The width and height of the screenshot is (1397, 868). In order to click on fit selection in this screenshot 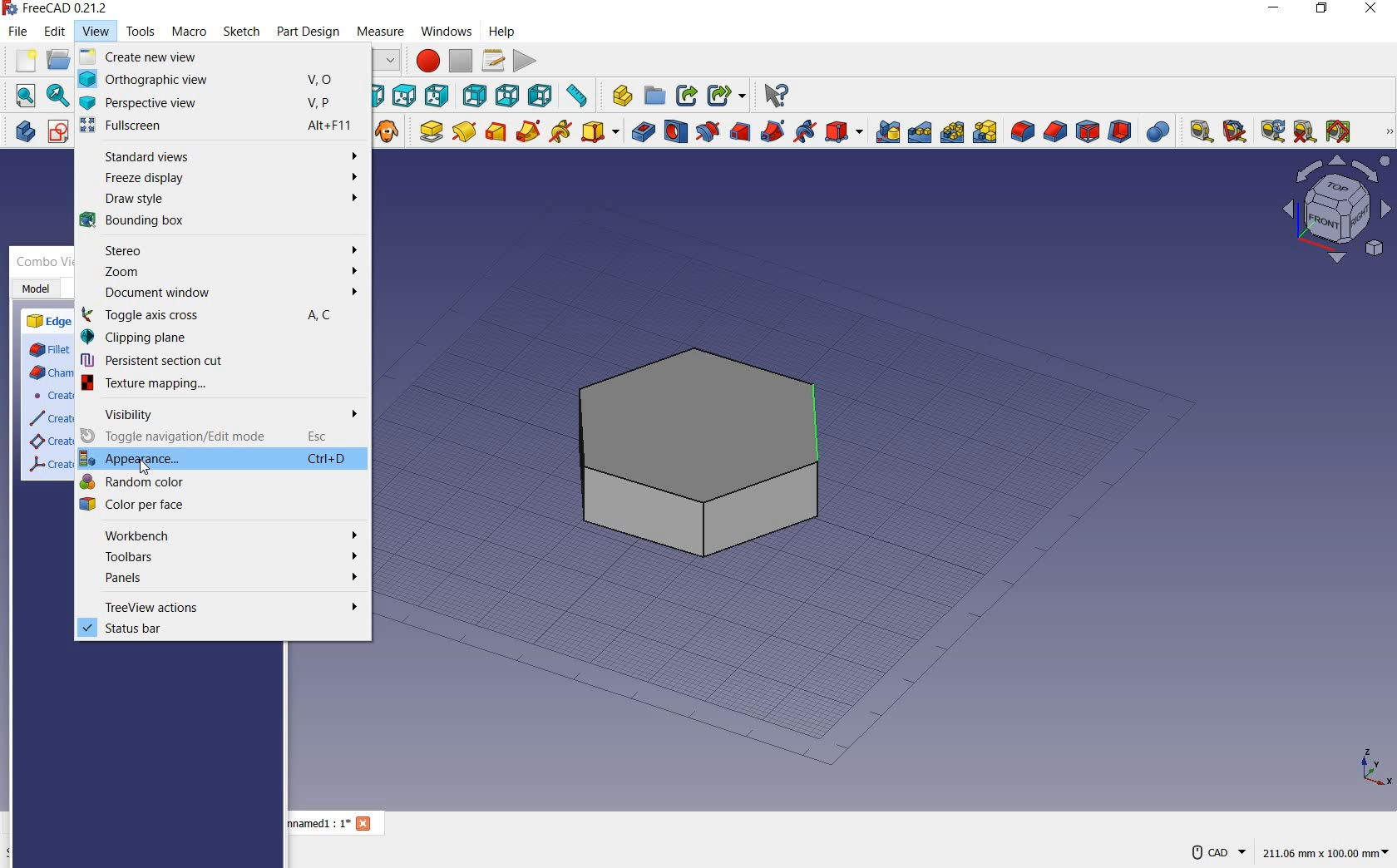, I will do `click(57, 96)`.